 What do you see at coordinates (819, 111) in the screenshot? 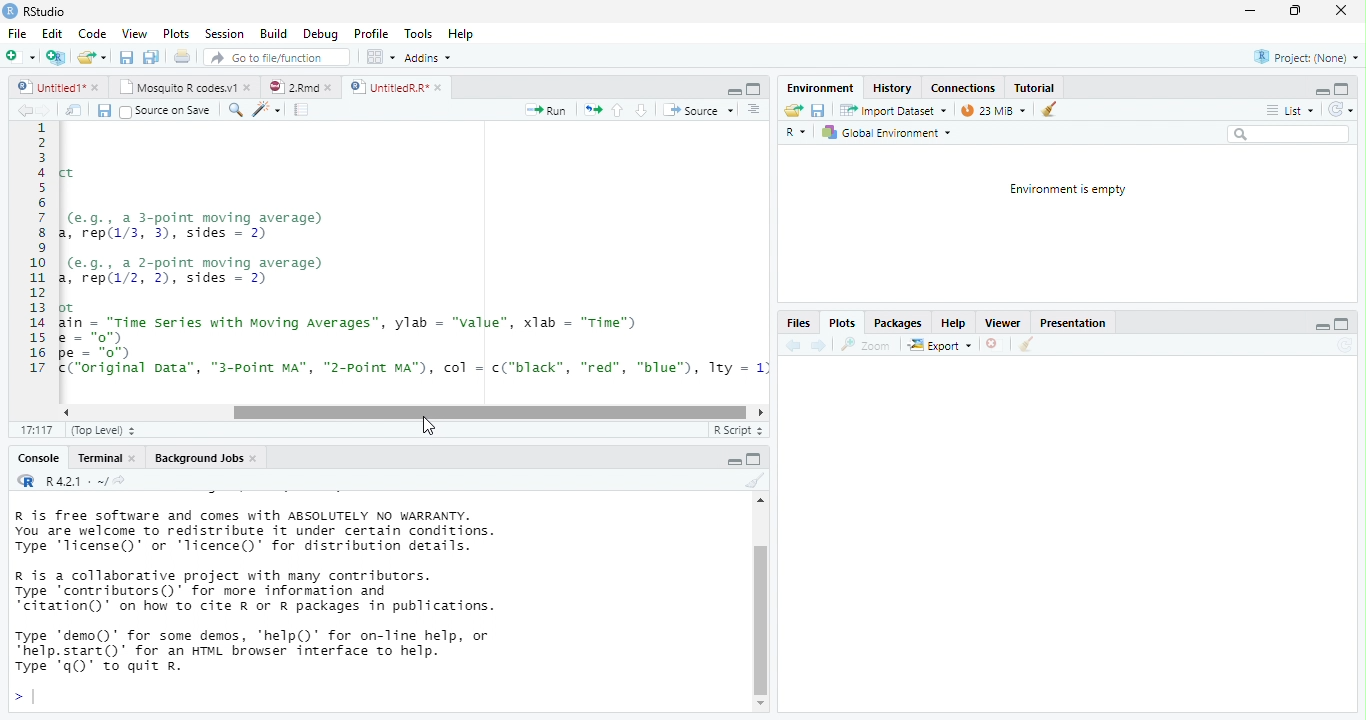
I see `save current document` at bounding box center [819, 111].